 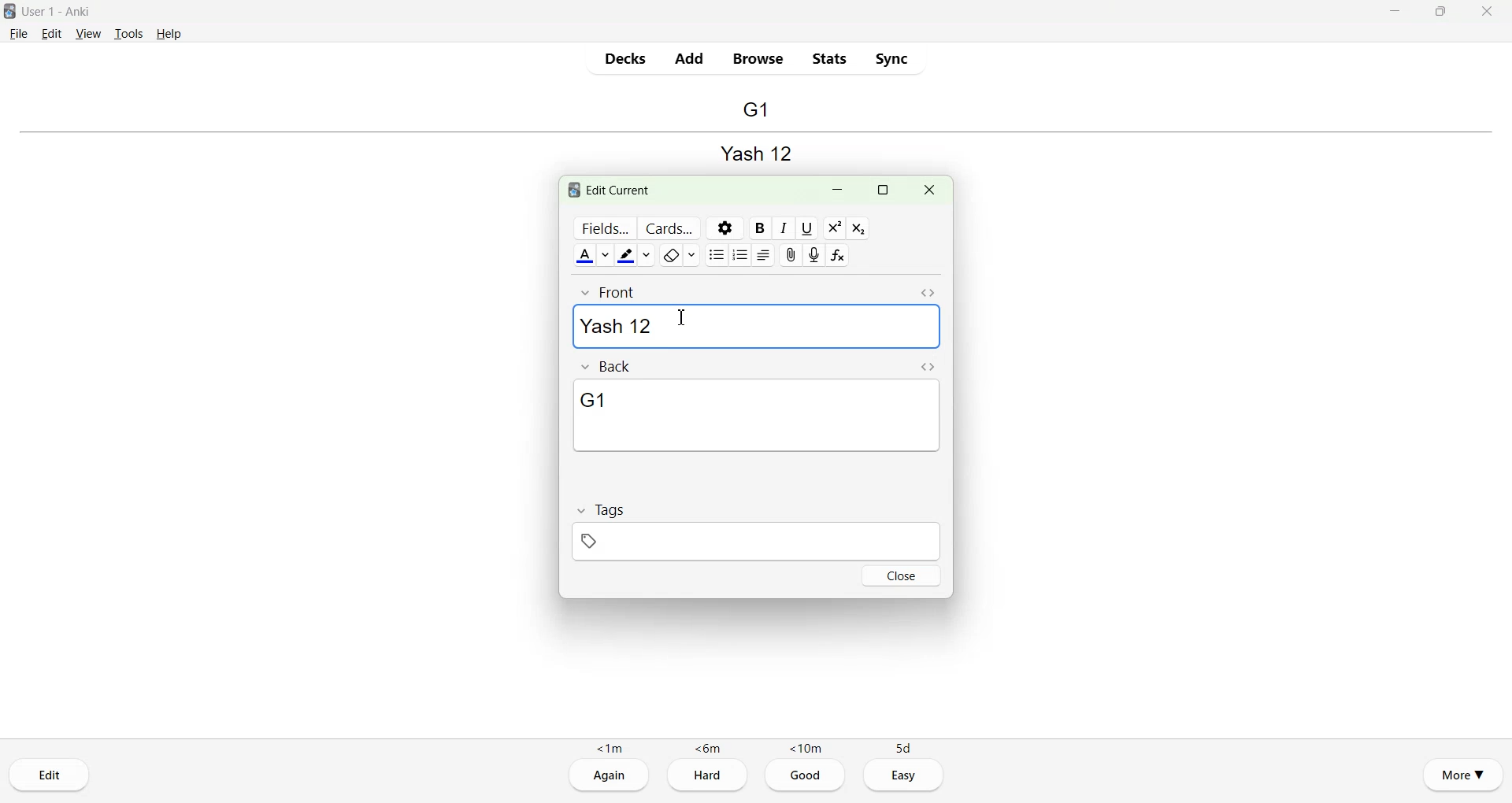 What do you see at coordinates (584, 255) in the screenshot?
I see `Text color` at bounding box center [584, 255].